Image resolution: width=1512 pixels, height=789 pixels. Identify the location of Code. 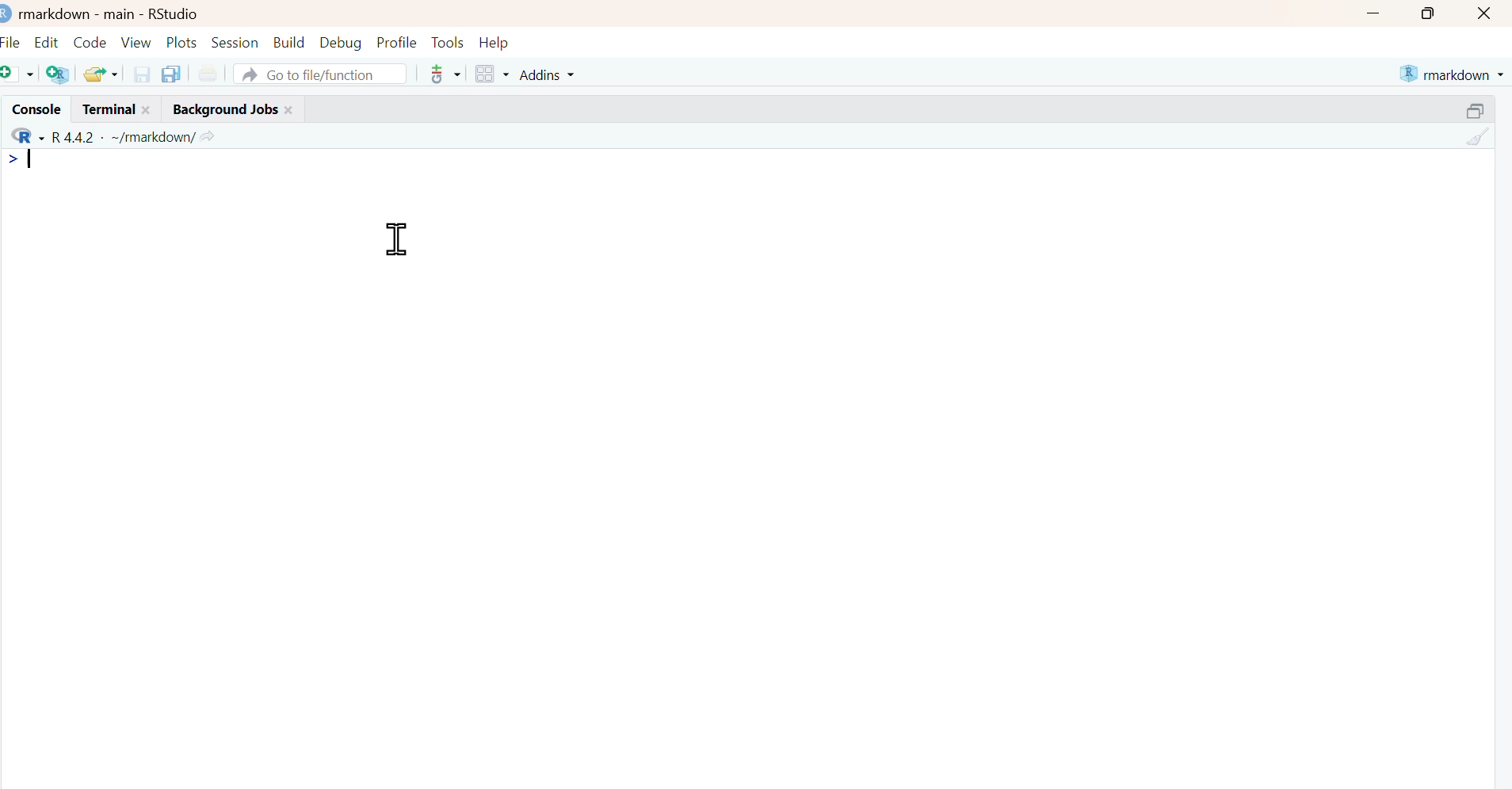
(90, 38).